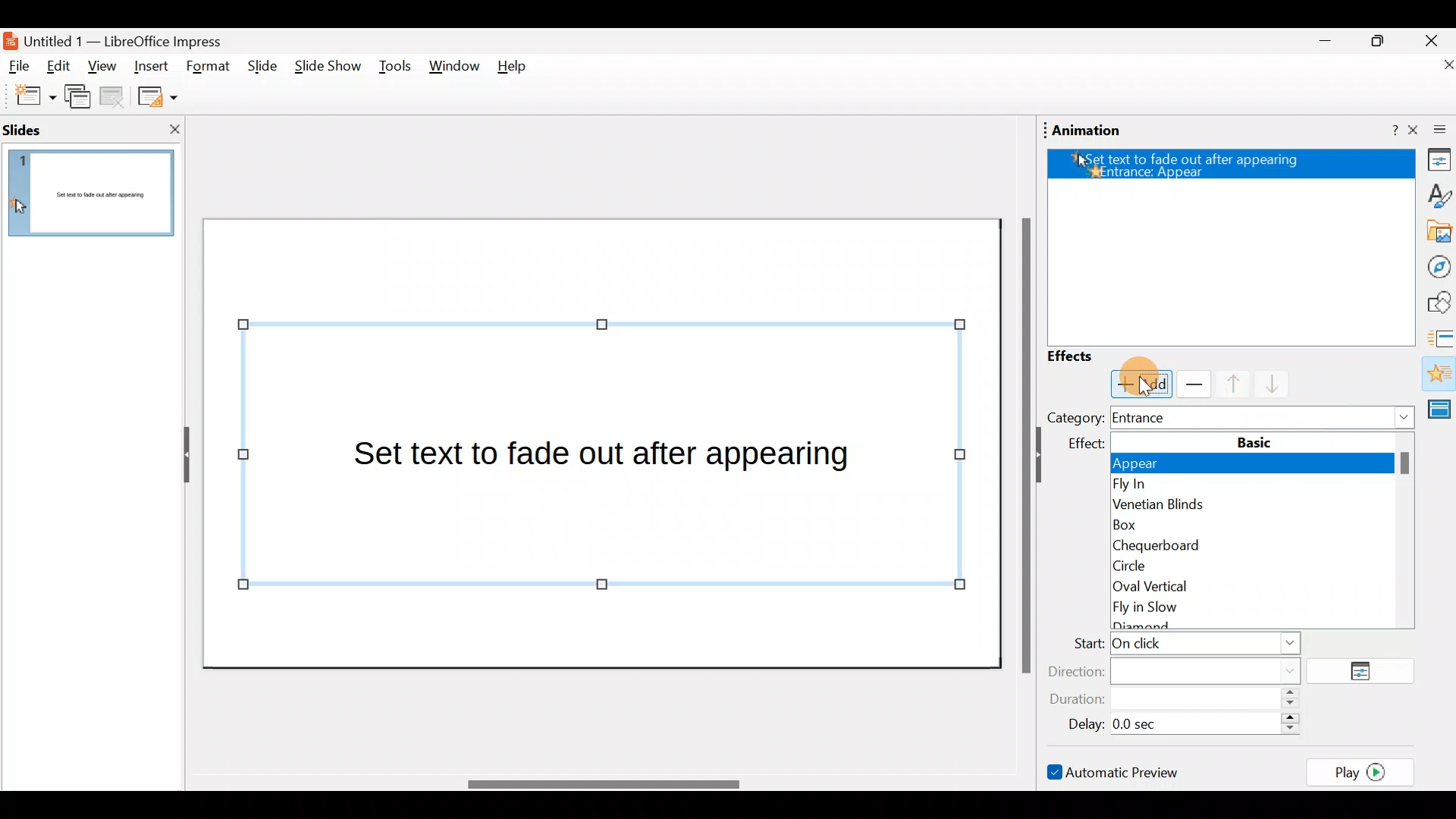 The image size is (1456, 819). I want to click on Close sidebar deck, so click(1433, 130).